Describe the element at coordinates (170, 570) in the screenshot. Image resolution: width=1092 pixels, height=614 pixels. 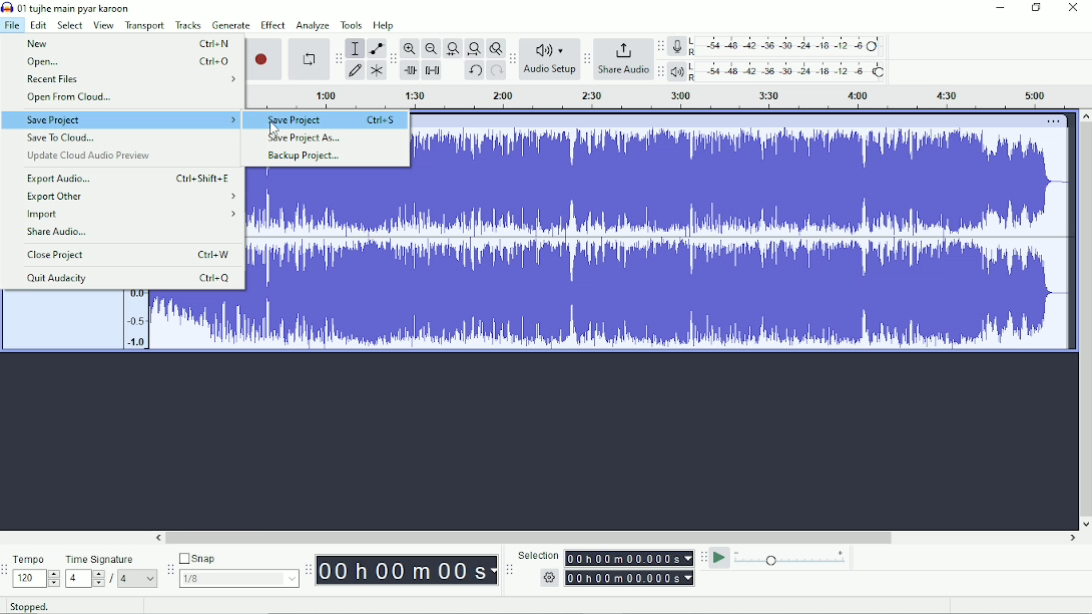
I see `Audacity snapping toolbar` at that location.